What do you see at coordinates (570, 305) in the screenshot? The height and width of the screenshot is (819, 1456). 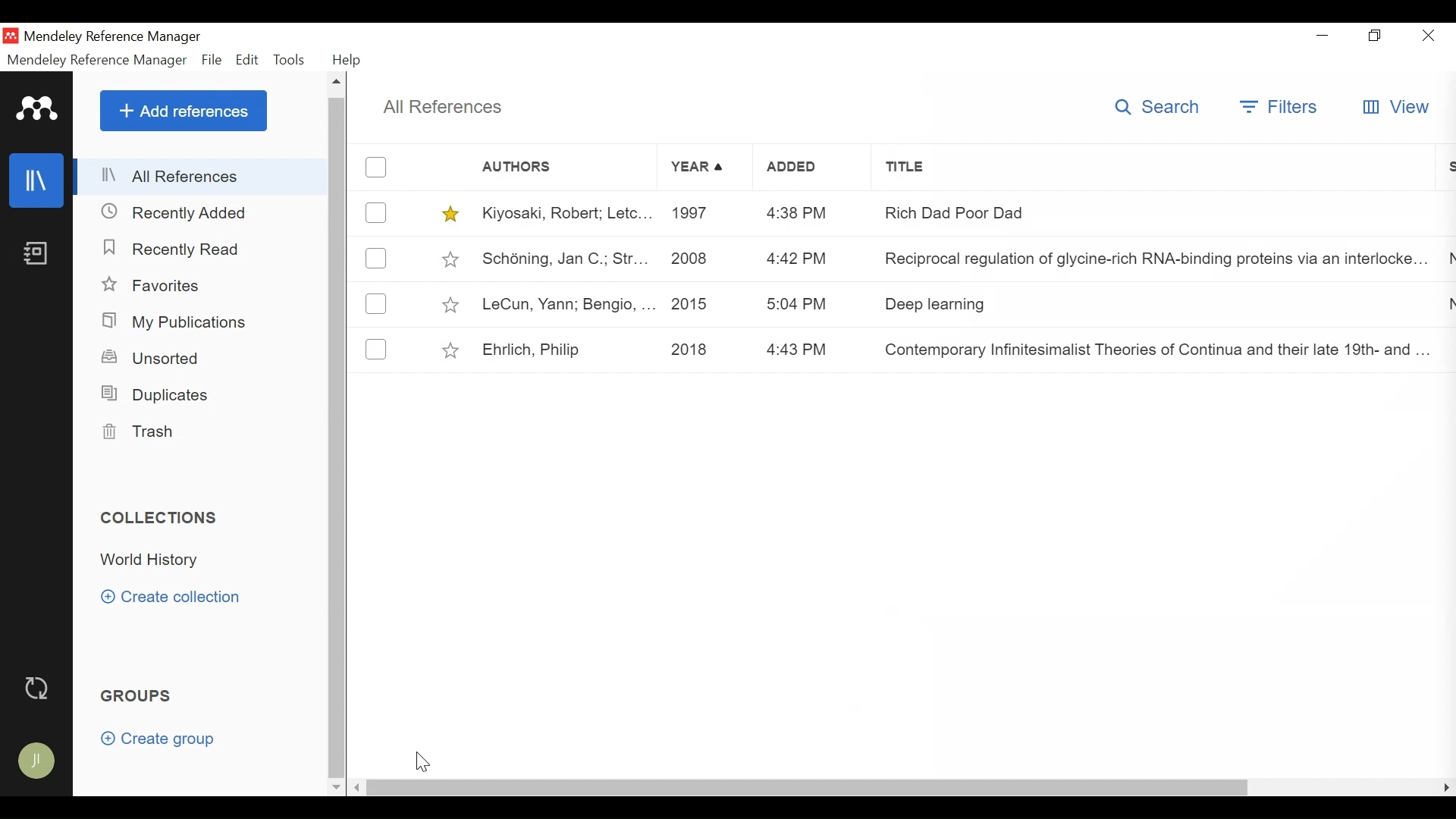 I see `LeCun, Yann; Bengio,...` at bounding box center [570, 305].